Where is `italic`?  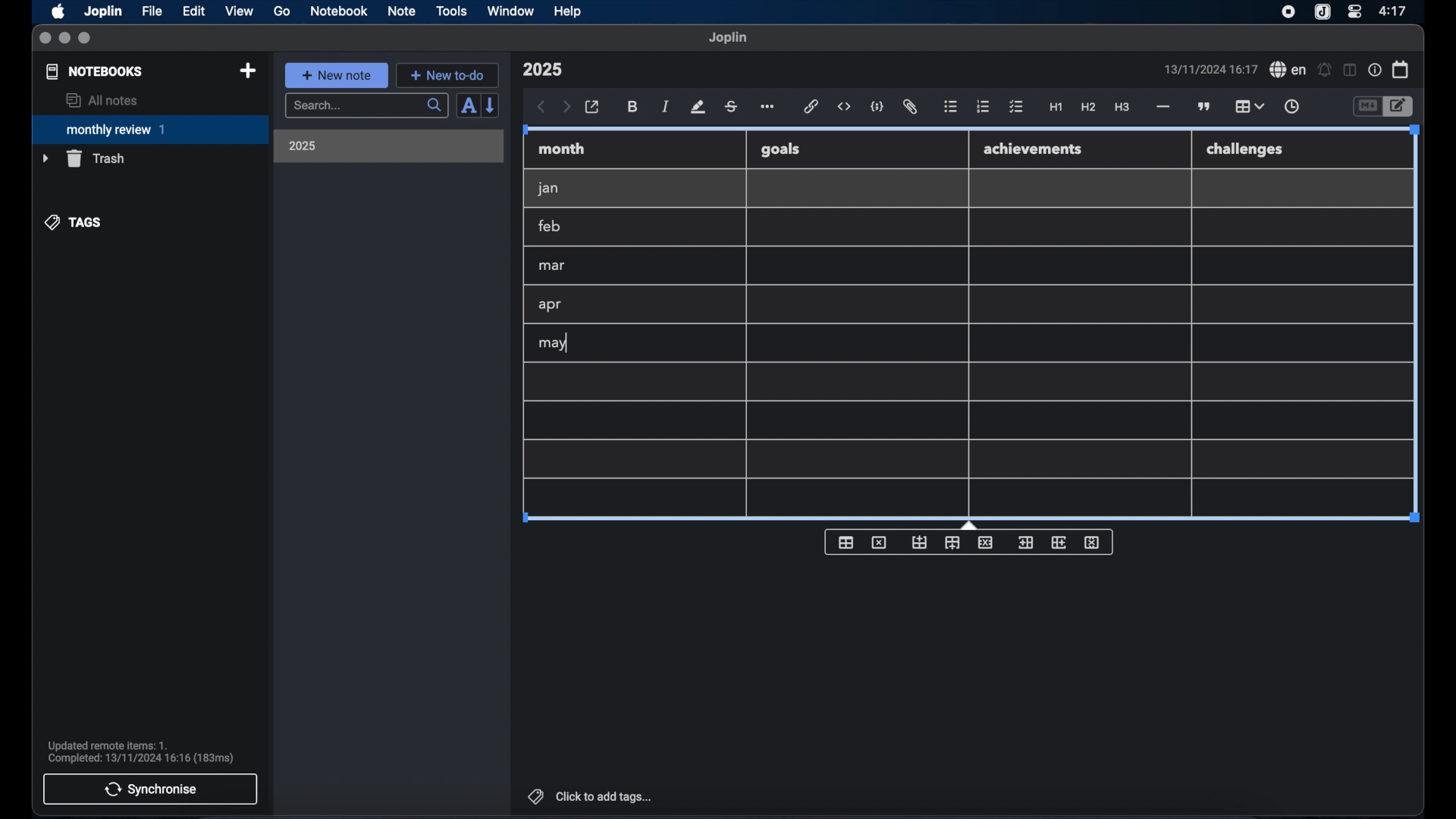 italic is located at coordinates (666, 106).